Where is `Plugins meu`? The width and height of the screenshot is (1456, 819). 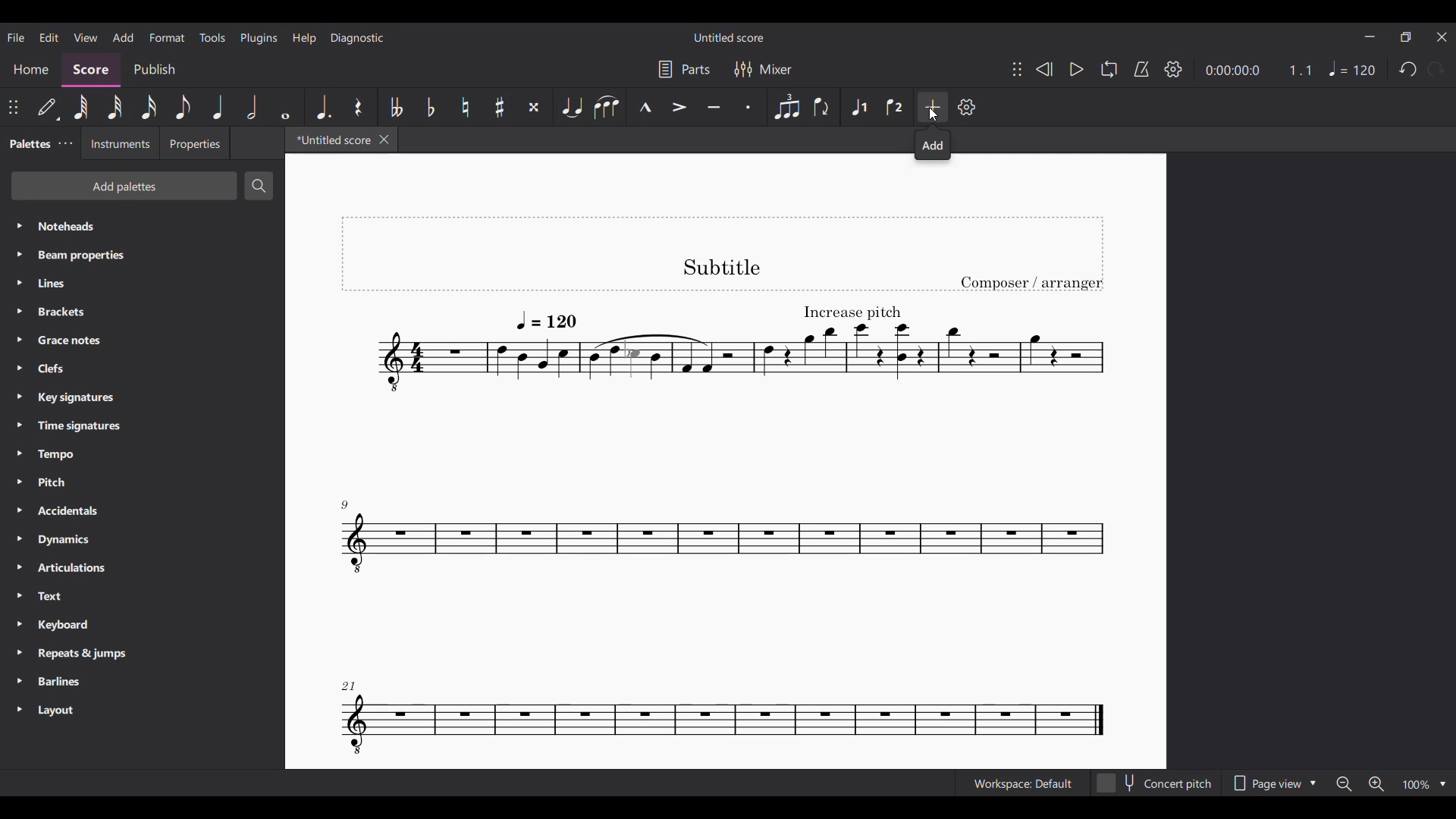 Plugins meu is located at coordinates (259, 38).